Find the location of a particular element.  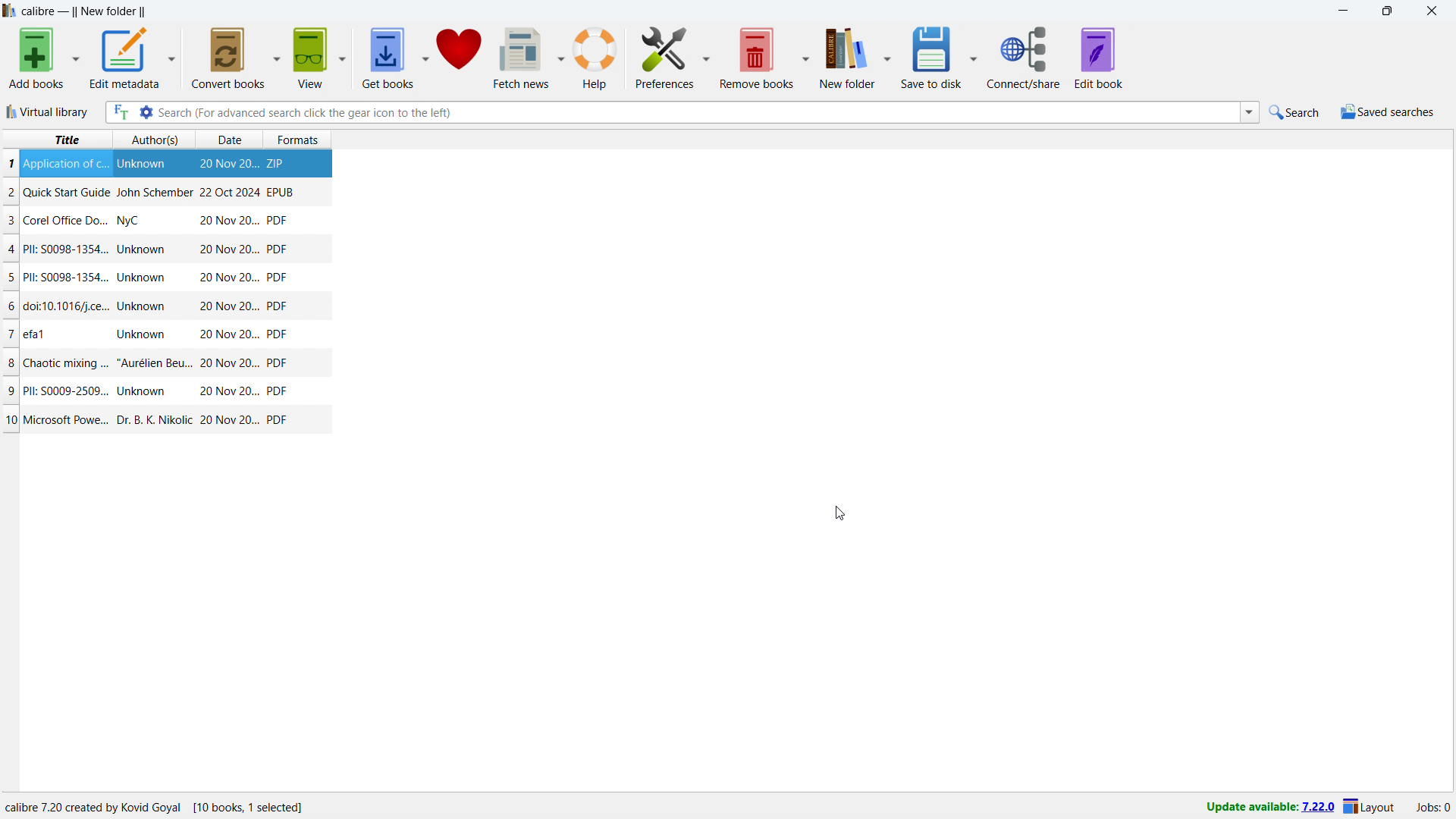

Date is located at coordinates (227, 221).